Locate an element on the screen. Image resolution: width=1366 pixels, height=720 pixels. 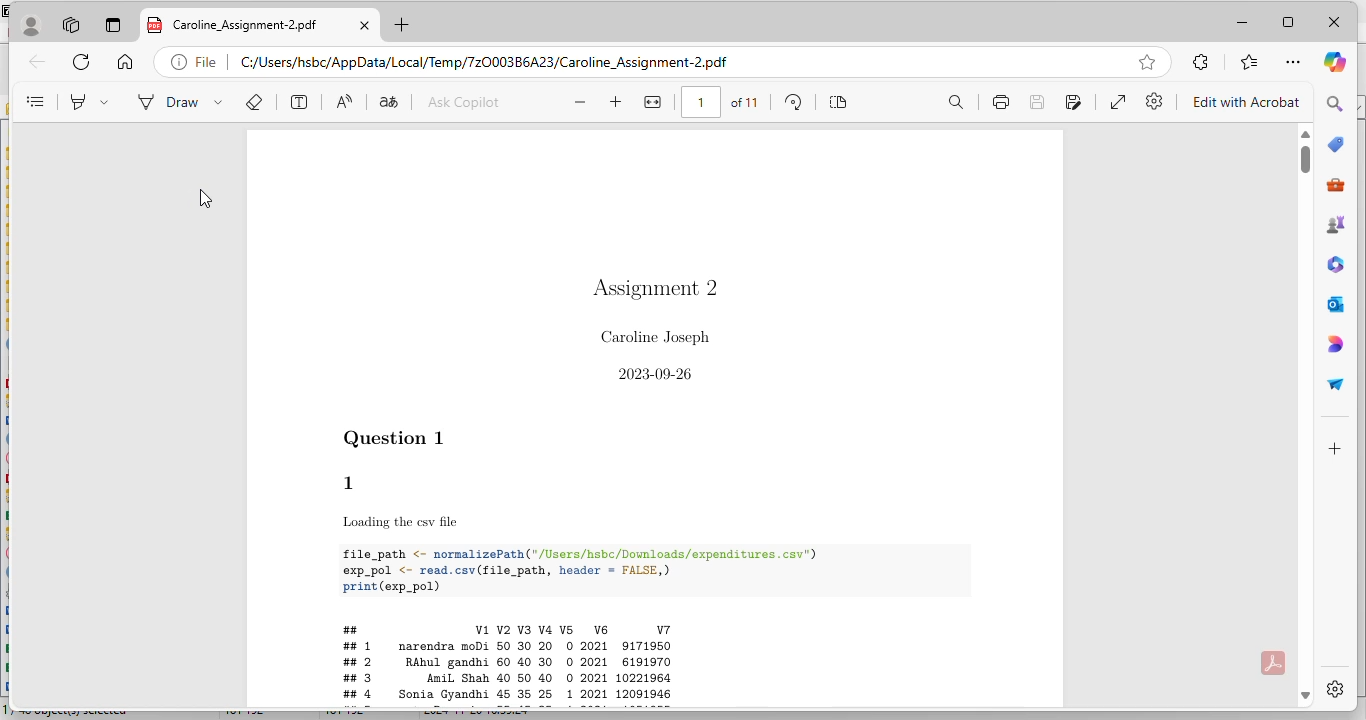
tab actions menu is located at coordinates (114, 24).